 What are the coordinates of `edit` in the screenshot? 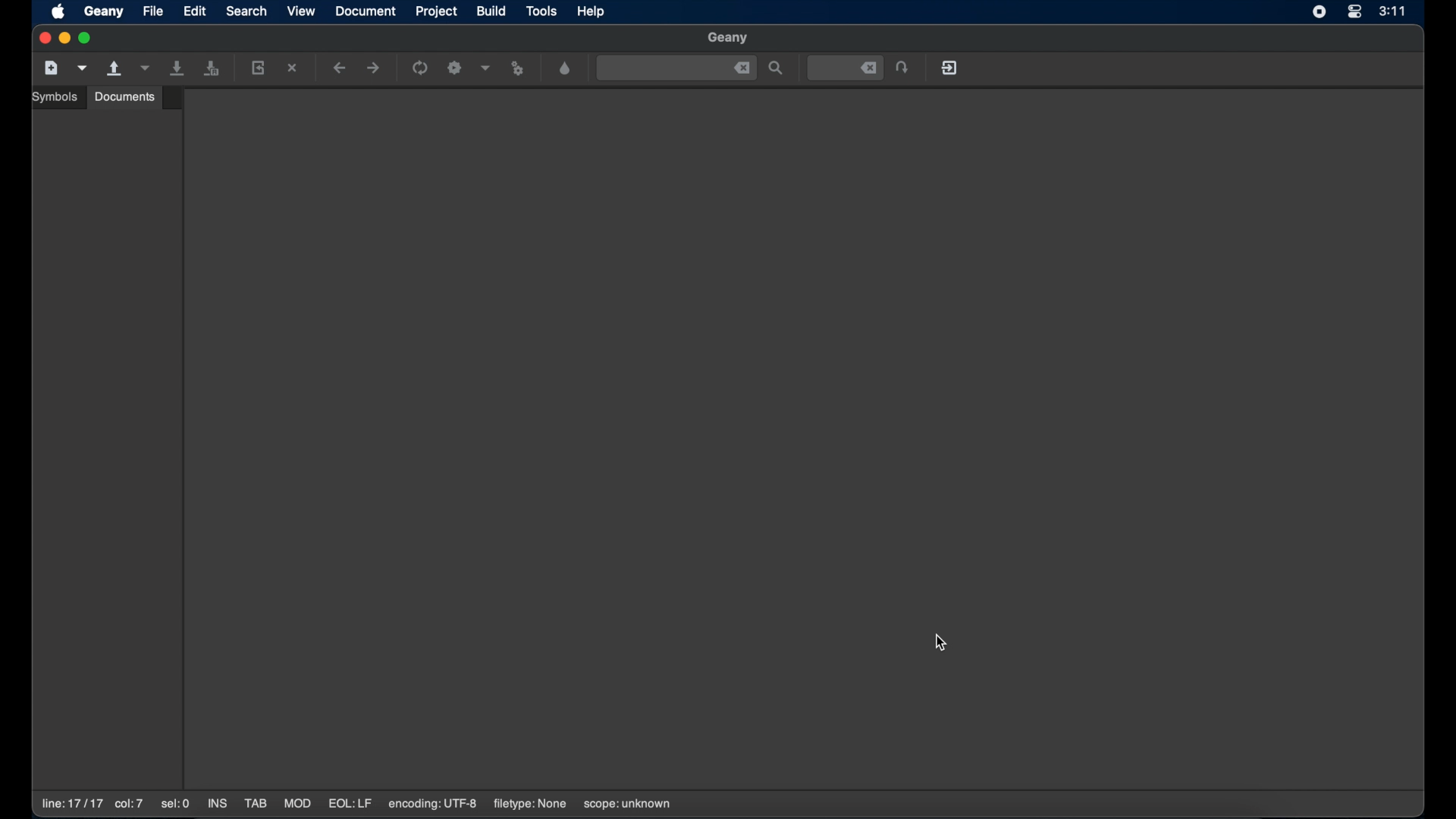 It's located at (195, 11).